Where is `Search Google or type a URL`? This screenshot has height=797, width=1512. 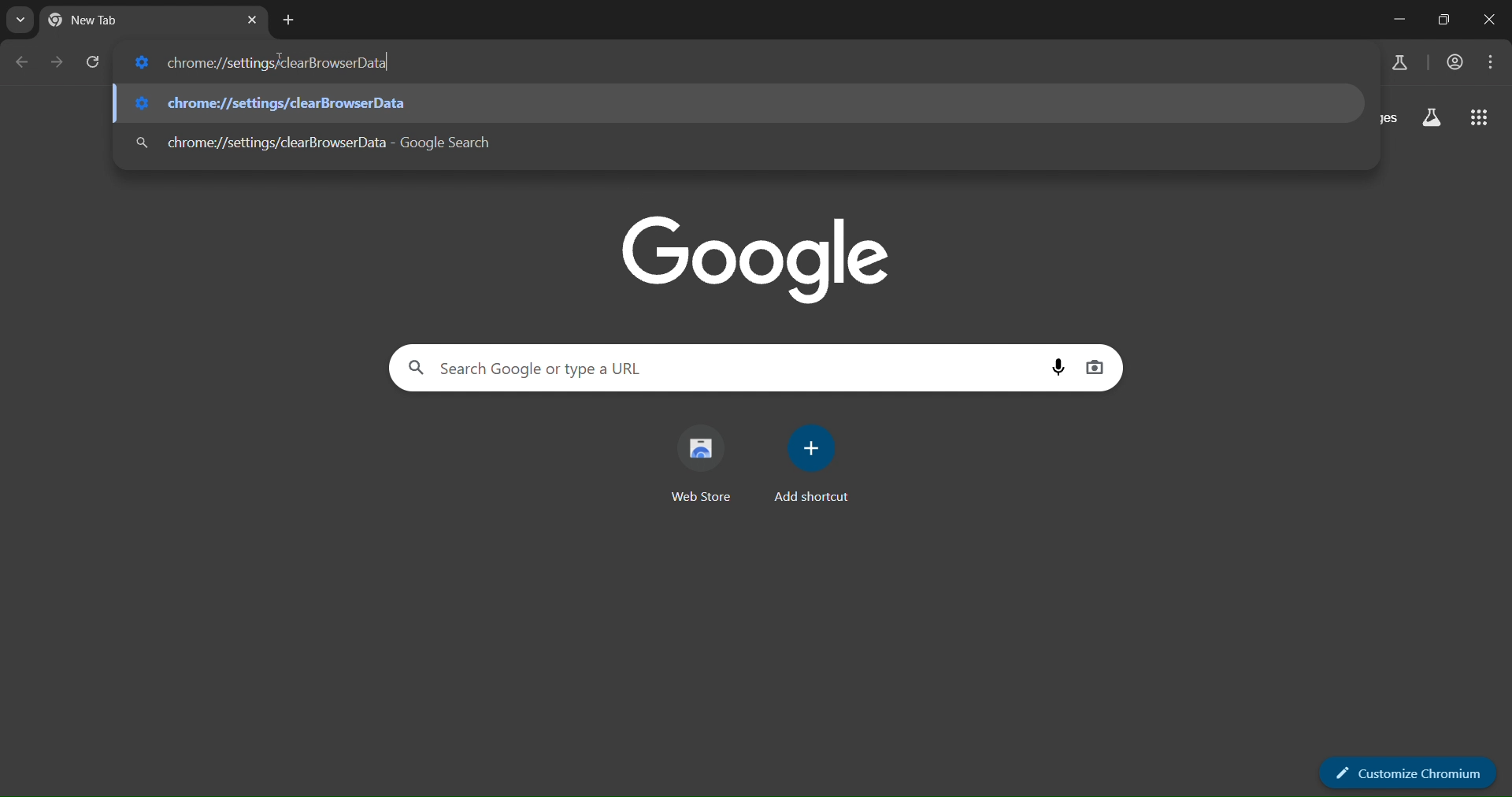
Search Google or type a URL is located at coordinates (722, 368).